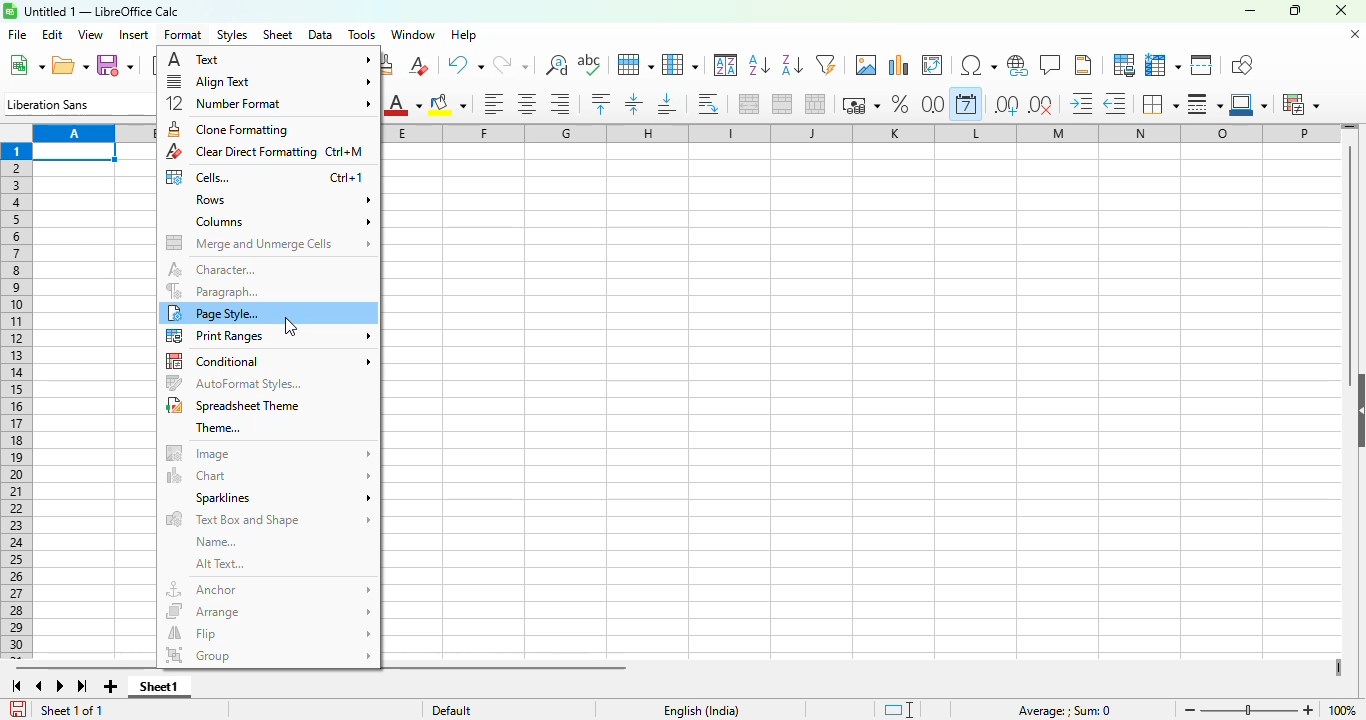 Image resolution: width=1366 pixels, height=720 pixels. Describe the element at coordinates (270, 243) in the screenshot. I see `merge and unmerge cells` at that location.